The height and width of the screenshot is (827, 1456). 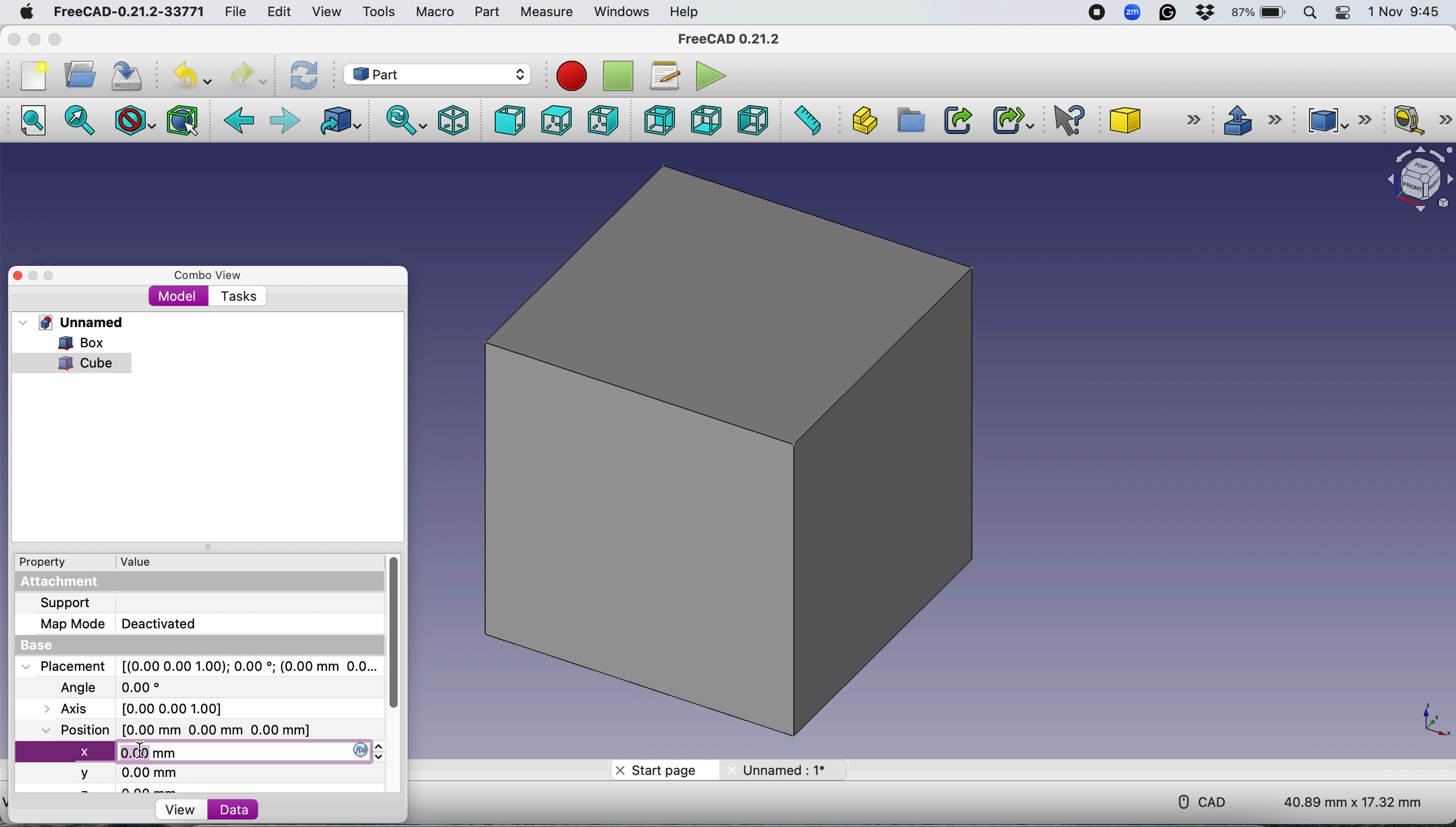 What do you see at coordinates (173, 729) in the screenshot?
I see `Position [0.00 mm 0.00 mm 0.00 mm]` at bounding box center [173, 729].